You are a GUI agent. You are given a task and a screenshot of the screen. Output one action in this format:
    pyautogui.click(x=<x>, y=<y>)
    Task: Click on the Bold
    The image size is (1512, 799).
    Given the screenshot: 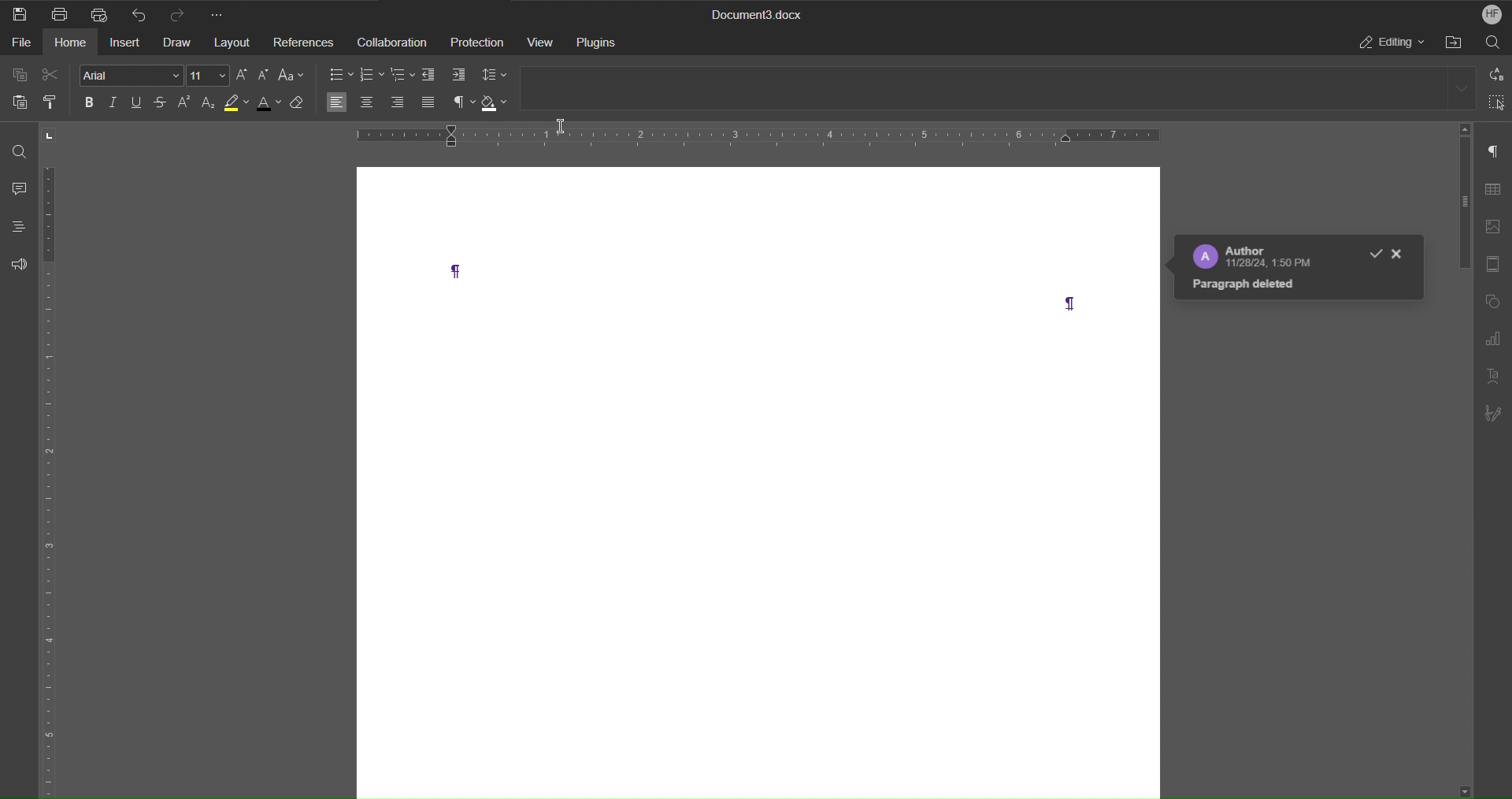 What is the action you would take?
    pyautogui.click(x=90, y=102)
    